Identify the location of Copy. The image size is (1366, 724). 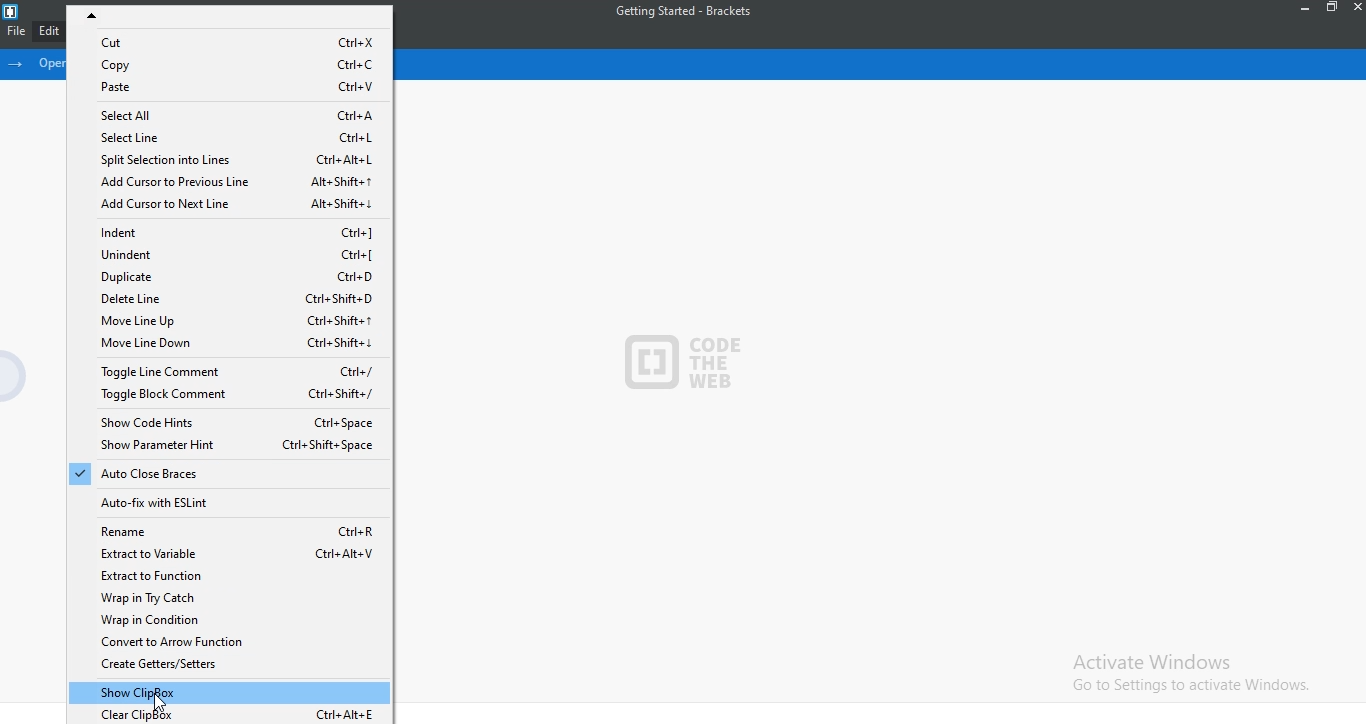
(230, 63).